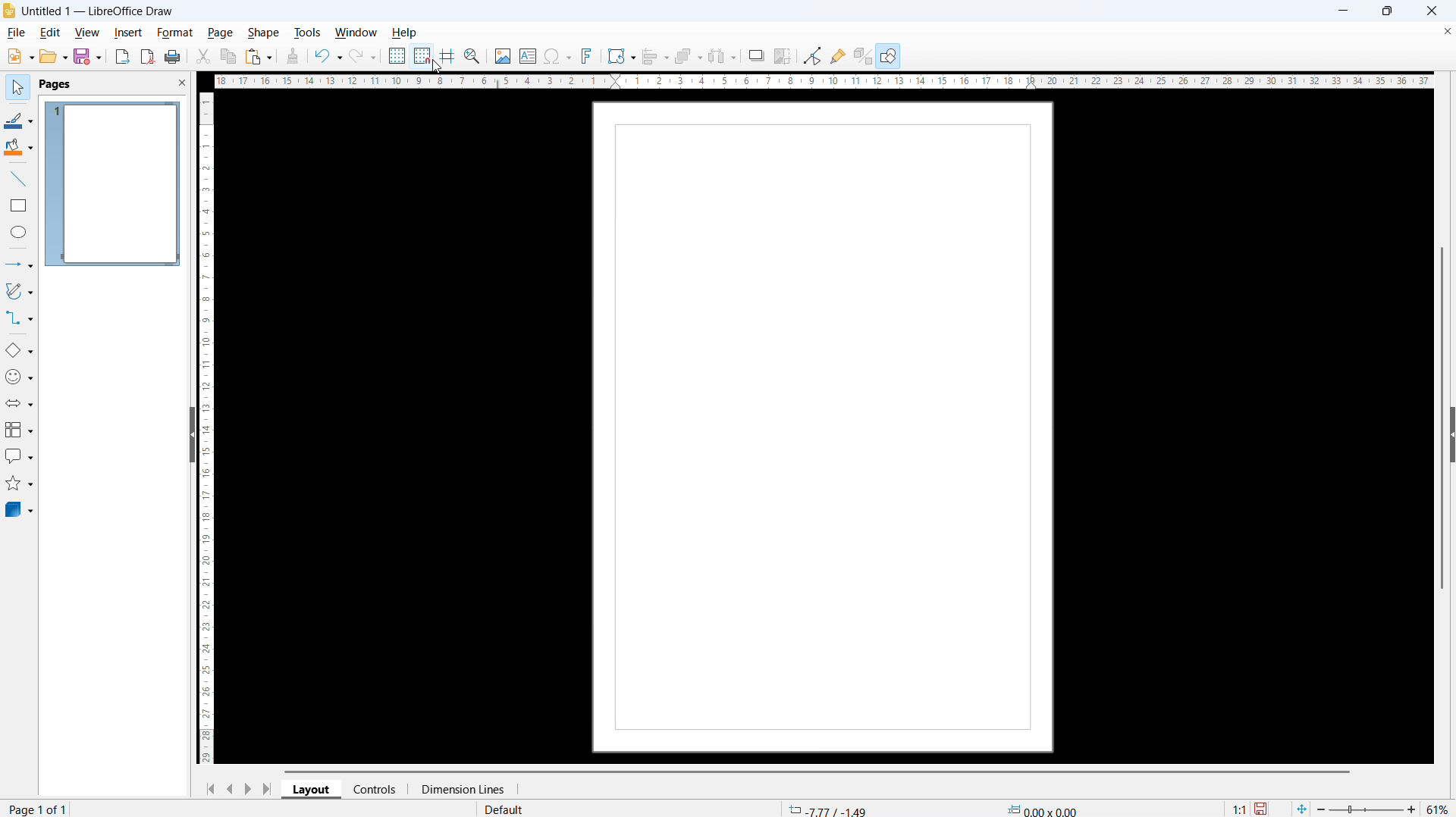 This screenshot has height=817, width=1456. Describe the element at coordinates (113, 184) in the screenshot. I see `page 1` at that location.